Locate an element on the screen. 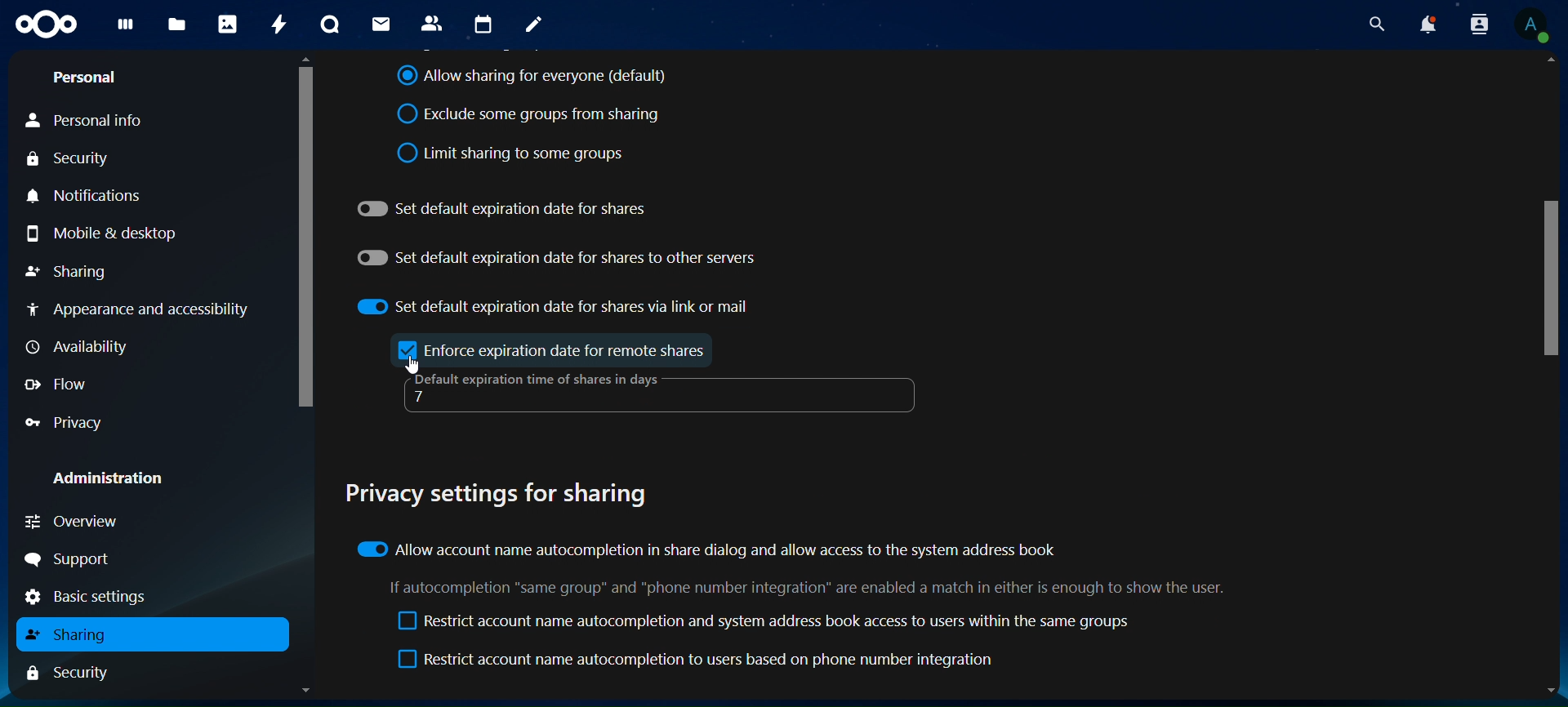 This screenshot has width=1568, height=707. set default expiration date for shares via link or mail is located at coordinates (555, 304).